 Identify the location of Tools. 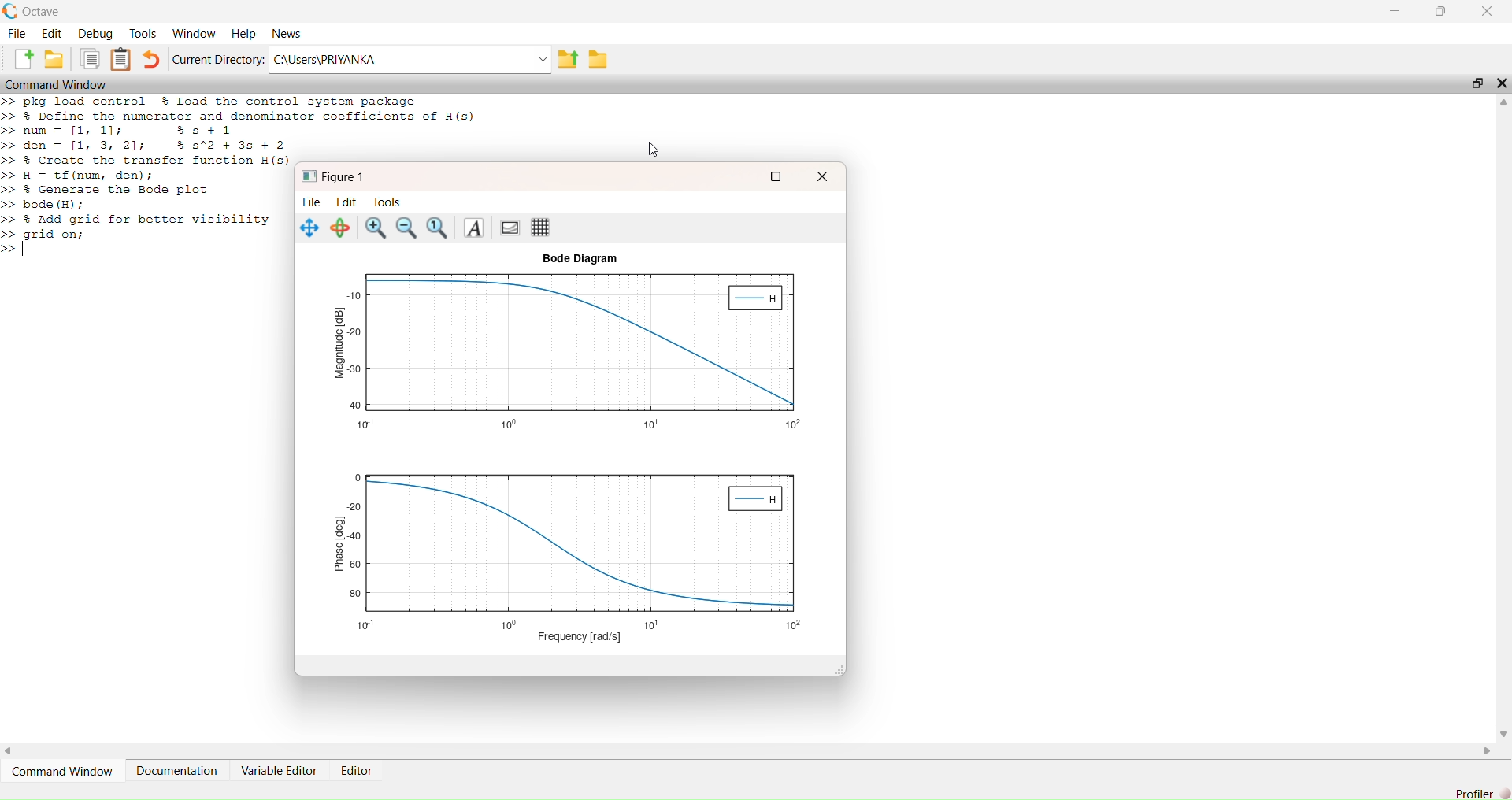
(143, 34).